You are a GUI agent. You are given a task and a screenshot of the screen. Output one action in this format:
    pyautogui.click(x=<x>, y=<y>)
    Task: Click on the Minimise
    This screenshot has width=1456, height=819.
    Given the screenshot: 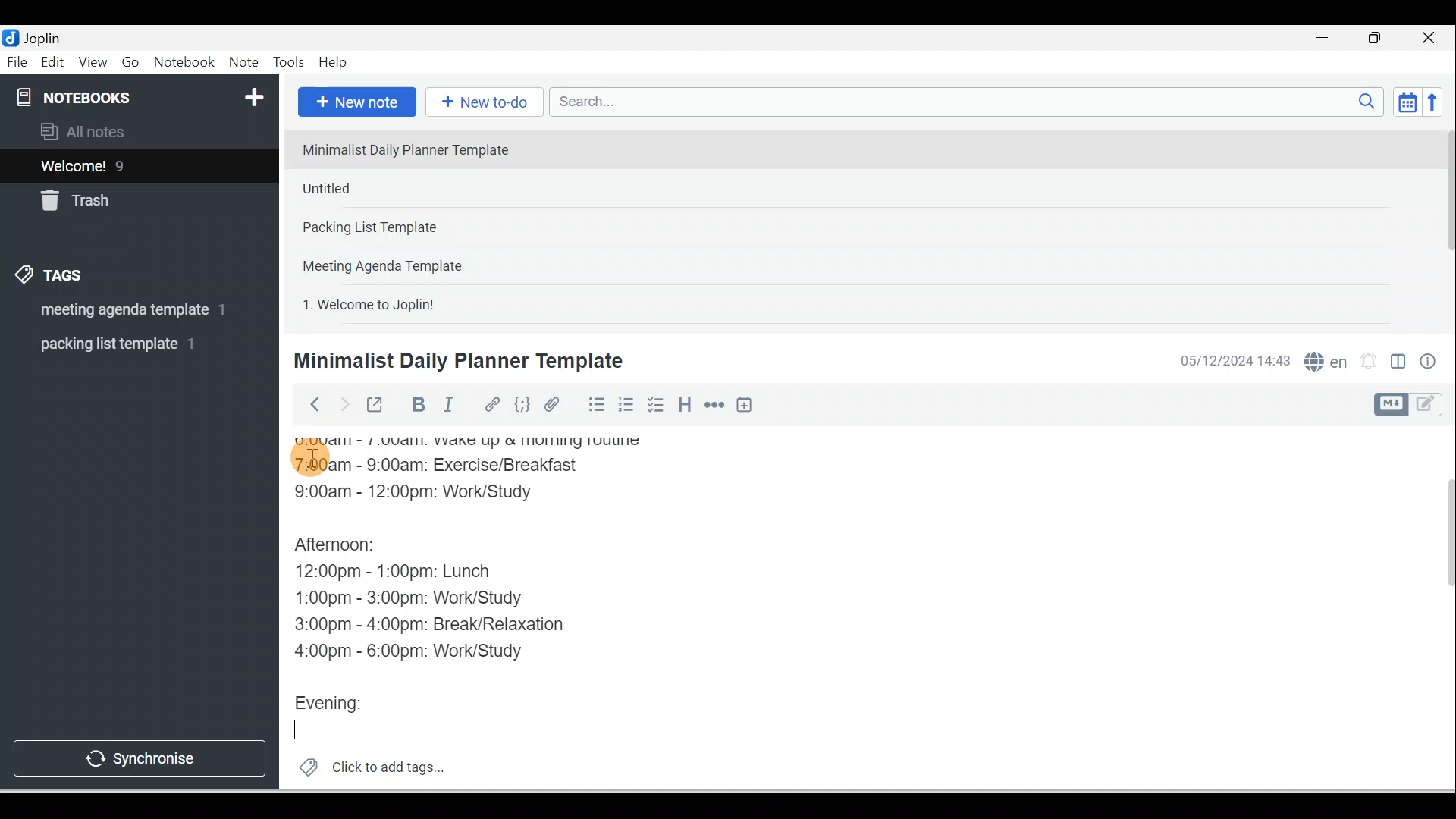 What is the action you would take?
    pyautogui.click(x=1327, y=39)
    